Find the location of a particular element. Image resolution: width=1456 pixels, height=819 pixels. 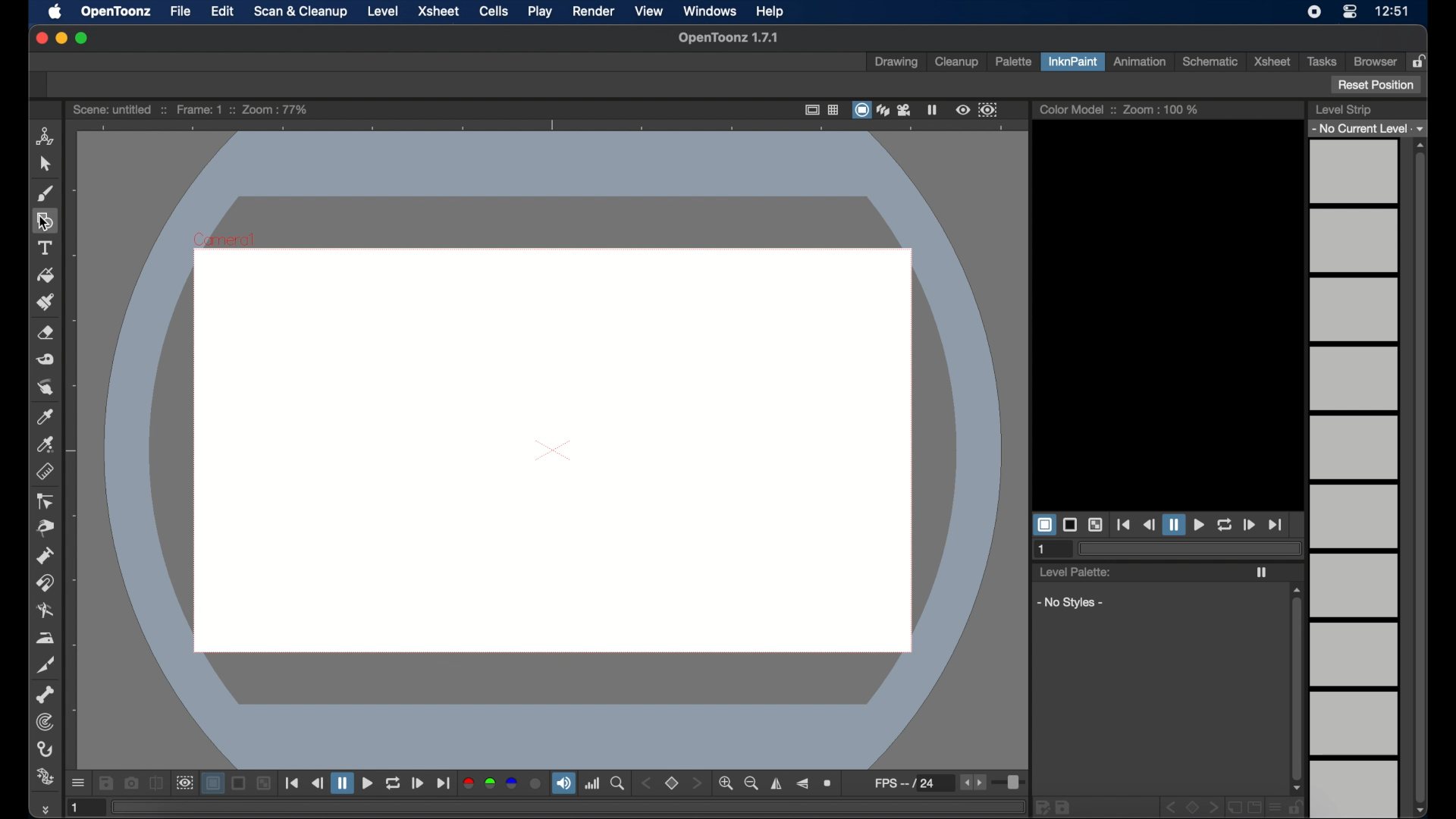

level is located at coordinates (383, 11).